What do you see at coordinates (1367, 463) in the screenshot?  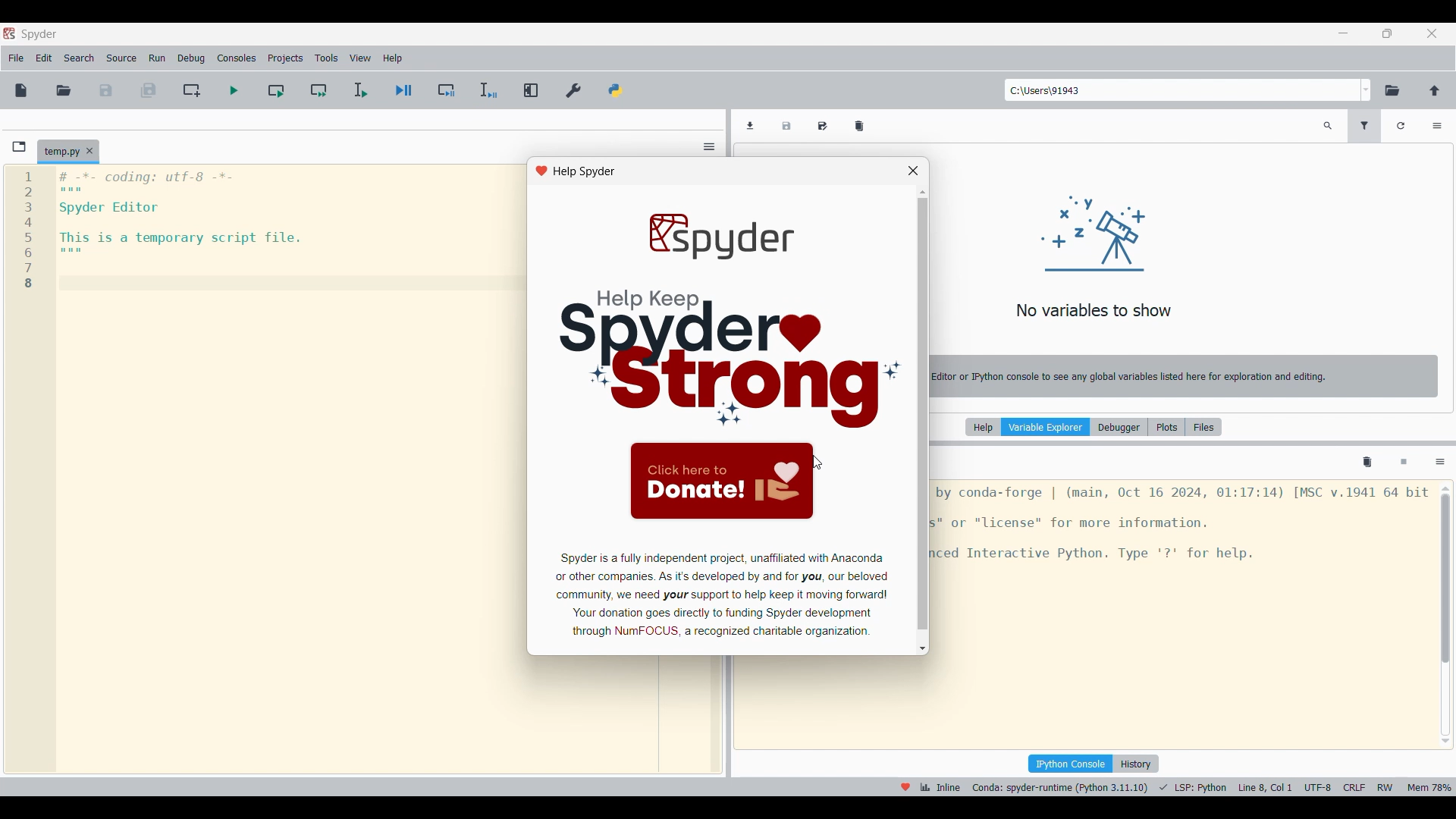 I see `Remove all variables from namespace` at bounding box center [1367, 463].